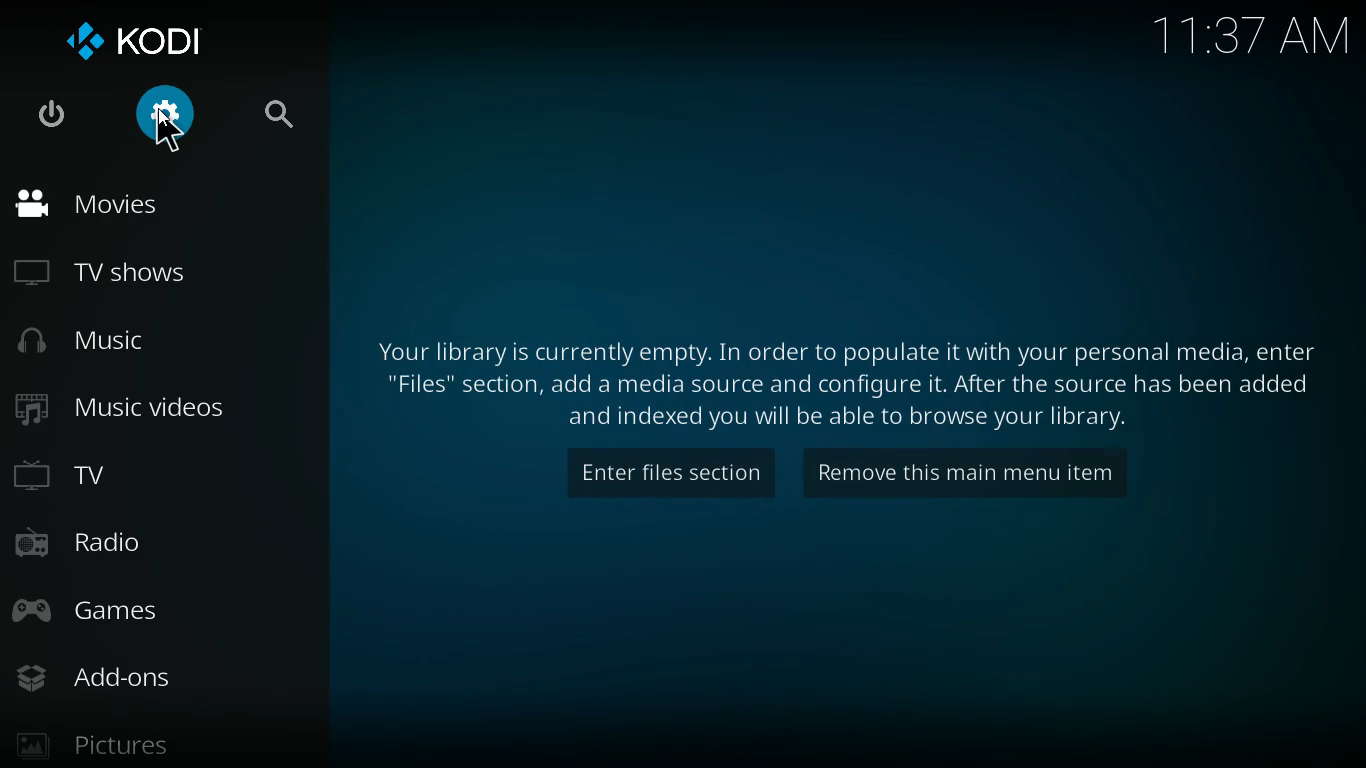 This screenshot has width=1366, height=768. What do you see at coordinates (144, 41) in the screenshot?
I see `kodi` at bounding box center [144, 41].